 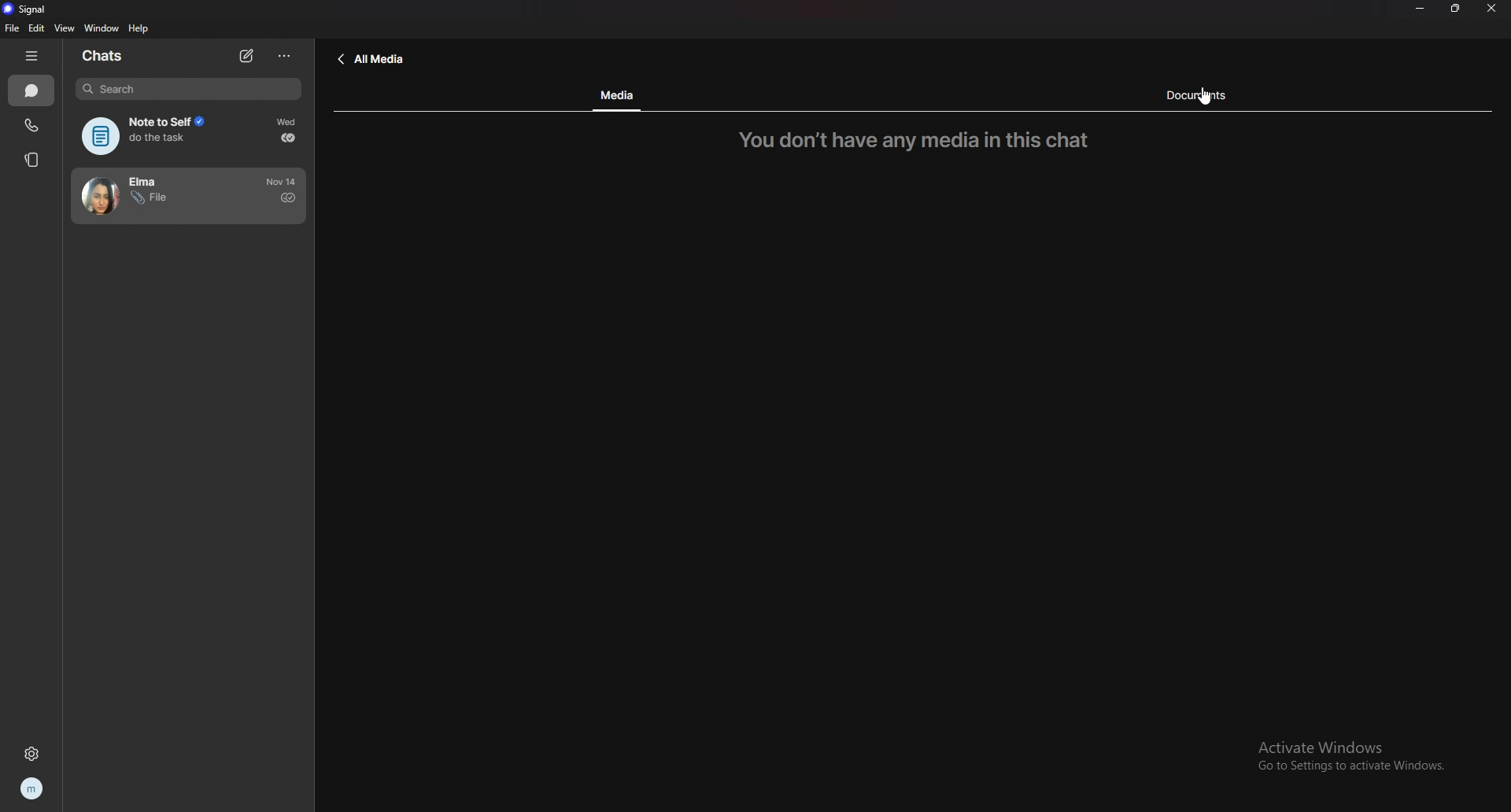 What do you see at coordinates (289, 122) in the screenshot?
I see `time` at bounding box center [289, 122].